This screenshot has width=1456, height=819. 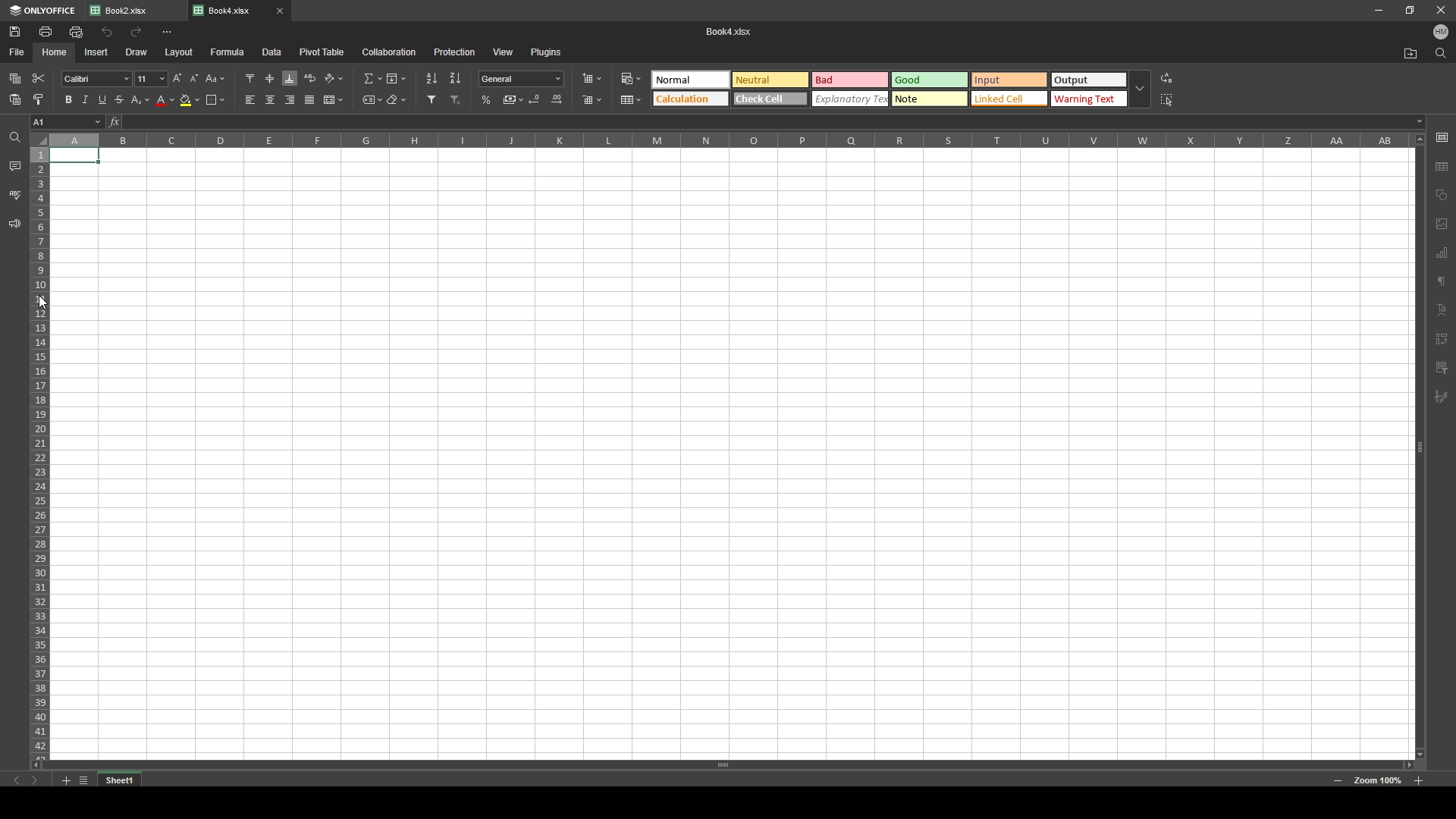 I want to click on replace, so click(x=1167, y=77).